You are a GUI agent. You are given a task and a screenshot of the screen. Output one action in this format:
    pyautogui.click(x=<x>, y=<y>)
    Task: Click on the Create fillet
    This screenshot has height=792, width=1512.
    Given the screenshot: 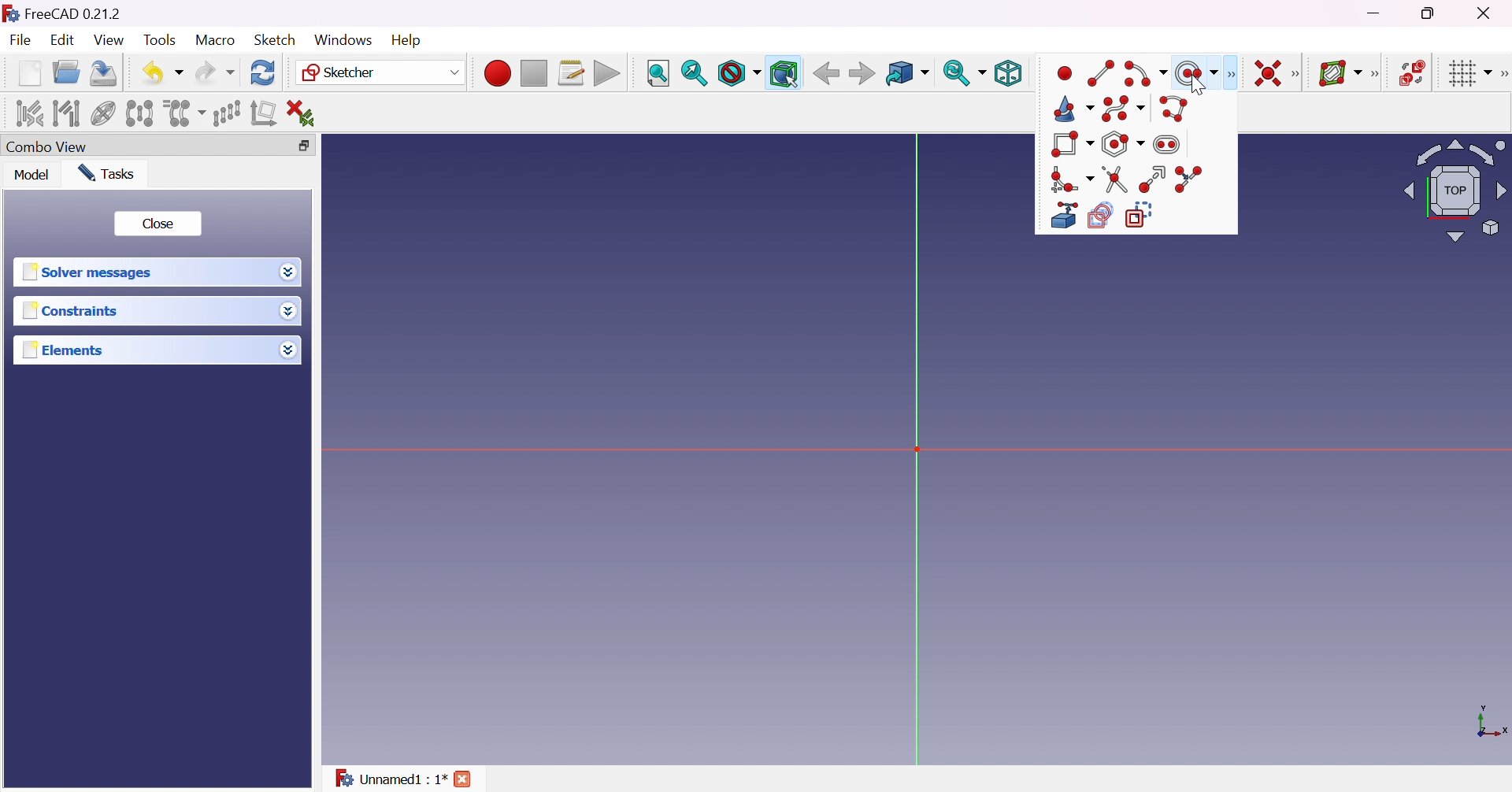 What is the action you would take?
    pyautogui.click(x=1072, y=180)
    